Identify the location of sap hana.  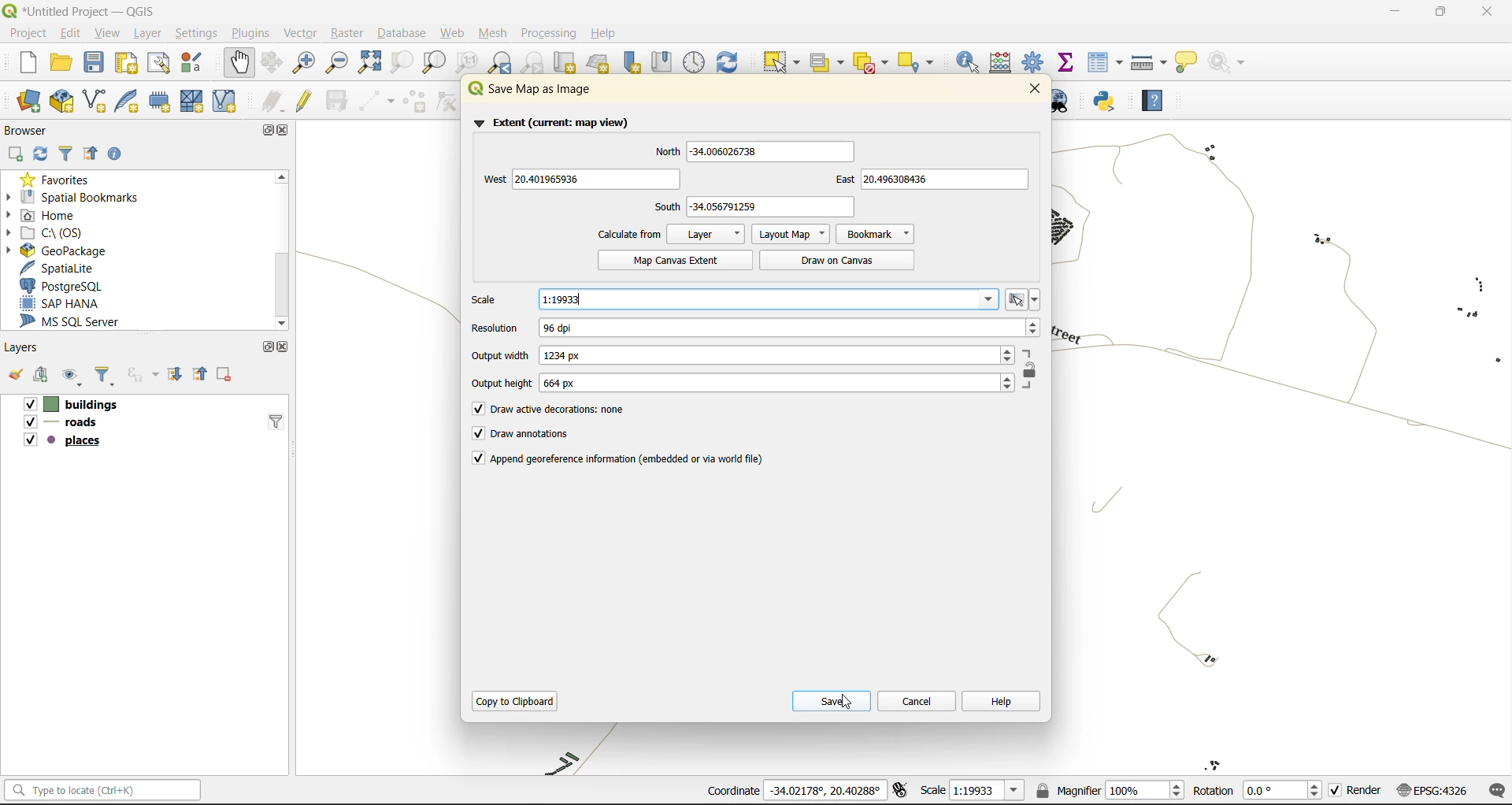
(61, 303).